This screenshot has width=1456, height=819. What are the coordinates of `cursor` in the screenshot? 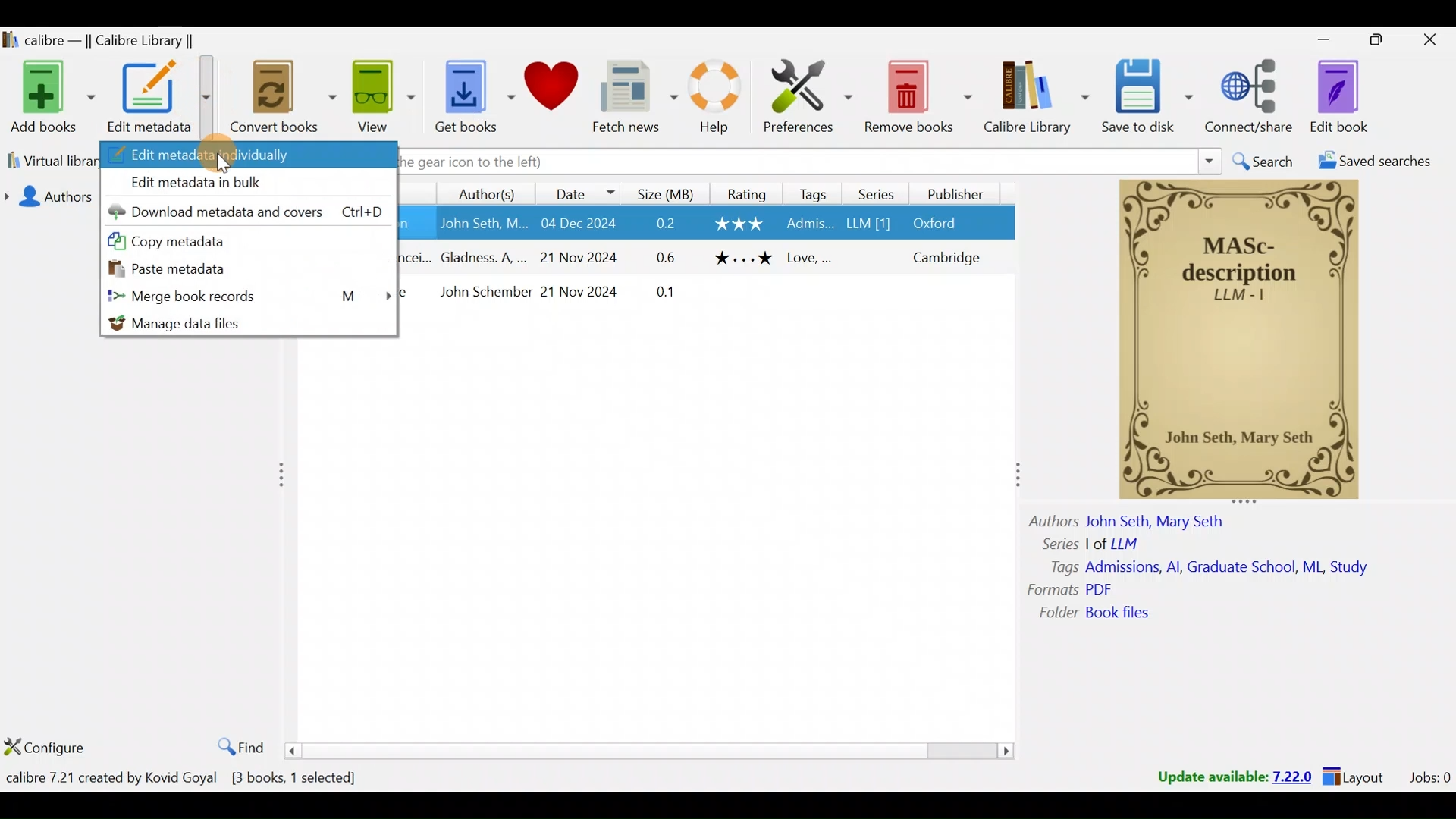 It's located at (224, 163).